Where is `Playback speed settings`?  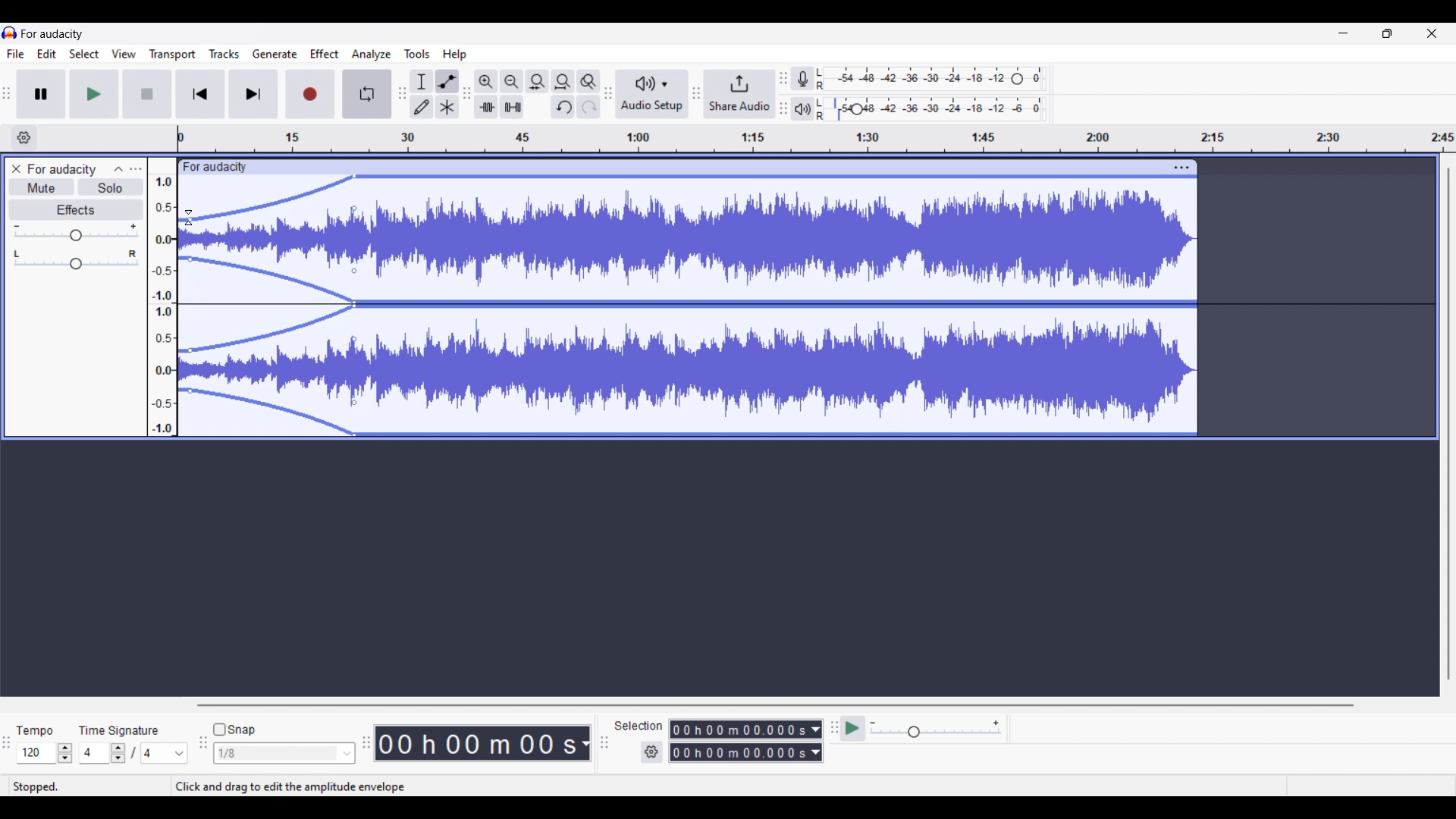 Playback speed settings is located at coordinates (936, 728).